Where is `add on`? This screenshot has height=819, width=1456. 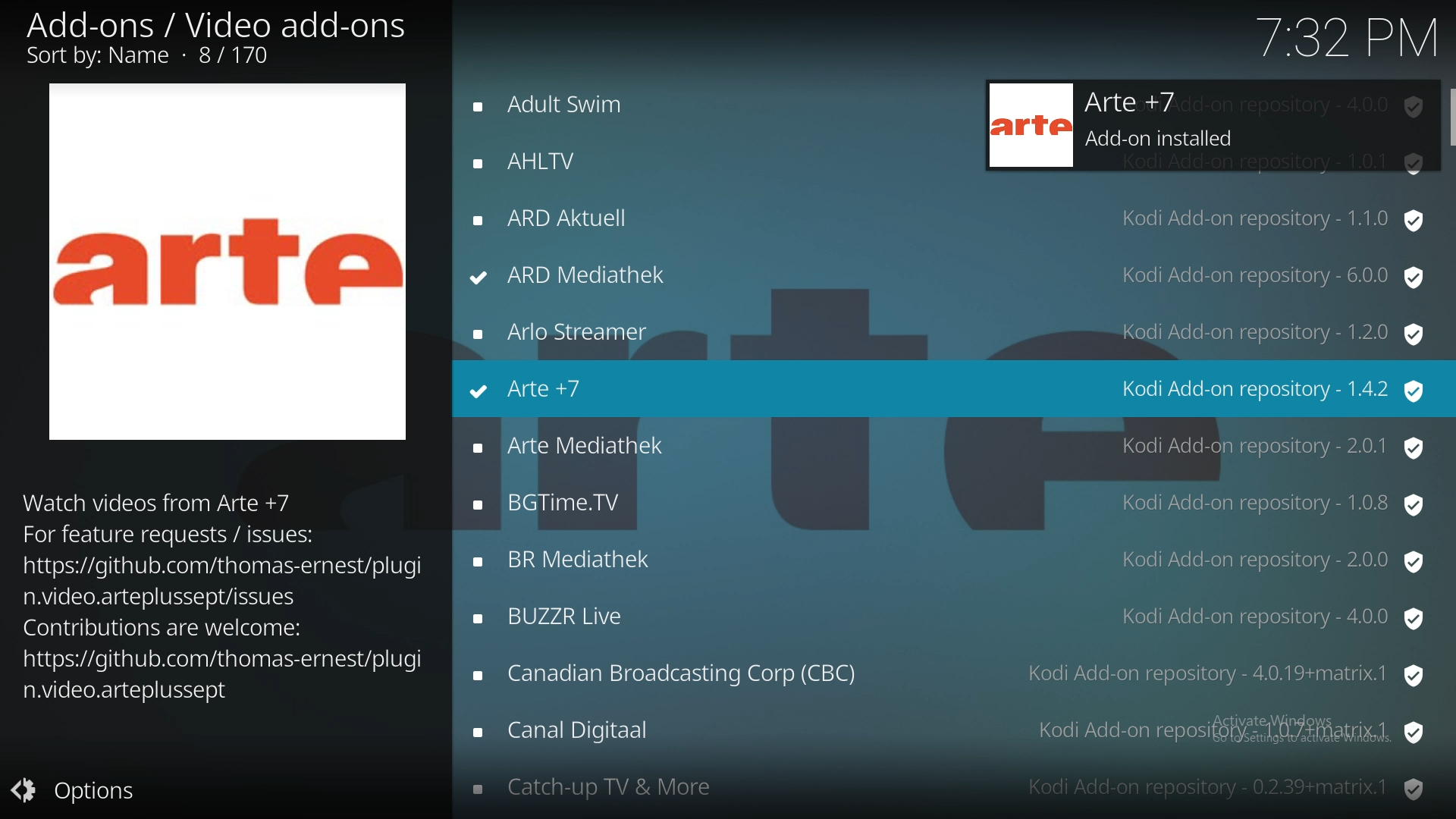
add on is located at coordinates (949, 561).